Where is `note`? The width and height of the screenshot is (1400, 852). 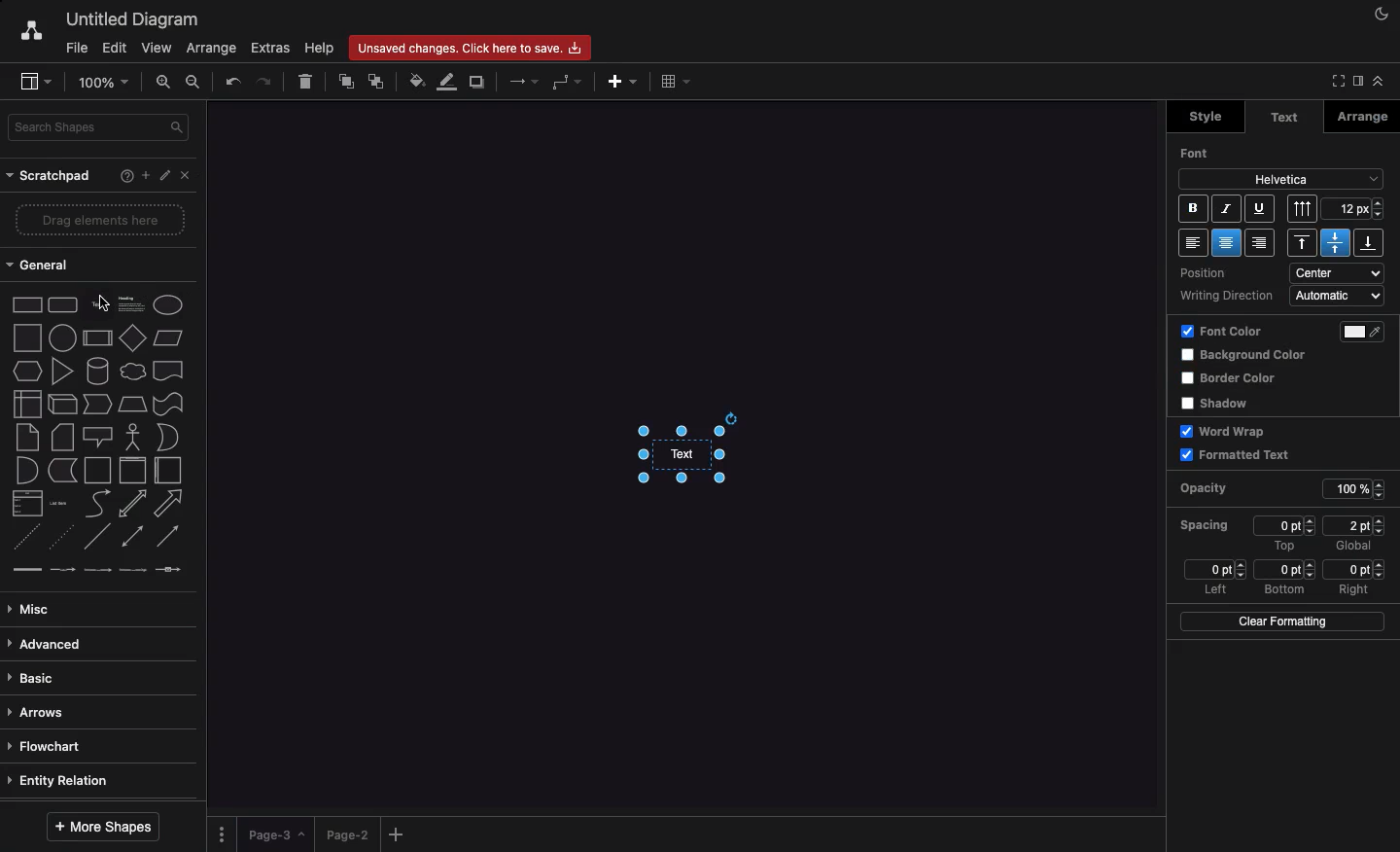 note is located at coordinates (27, 438).